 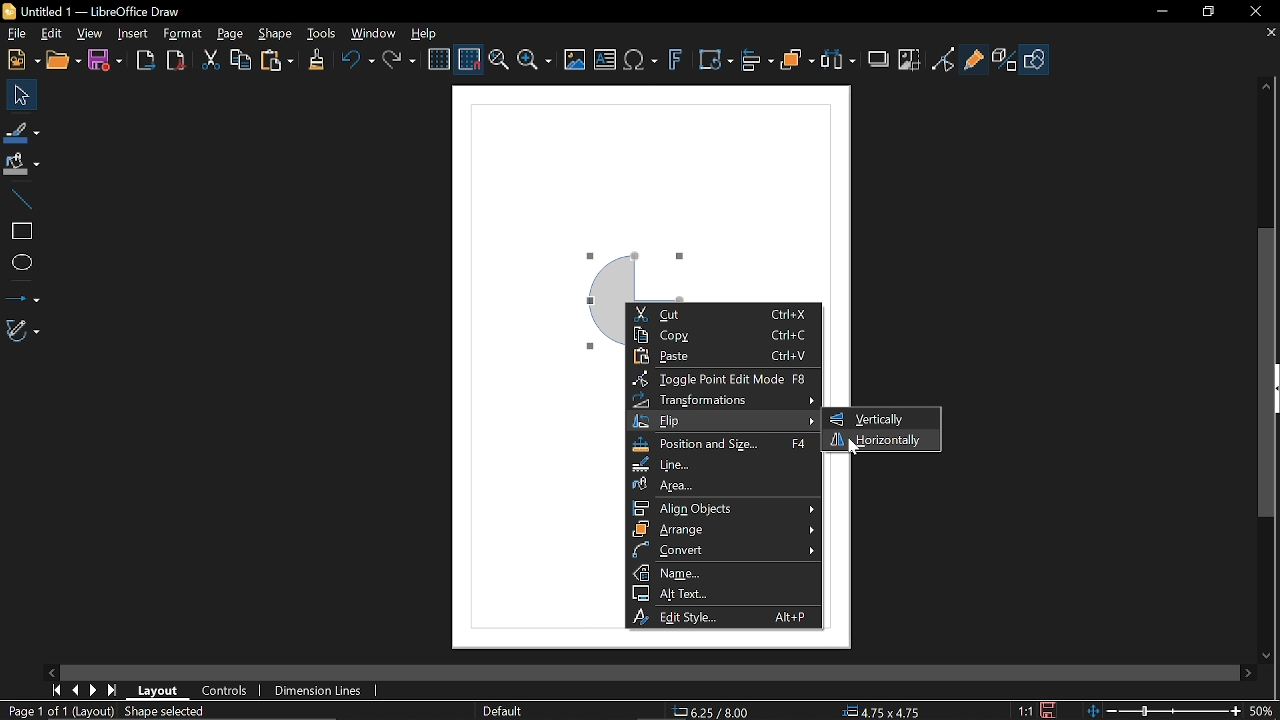 What do you see at coordinates (1052, 710) in the screenshot?
I see `Save` at bounding box center [1052, 710].